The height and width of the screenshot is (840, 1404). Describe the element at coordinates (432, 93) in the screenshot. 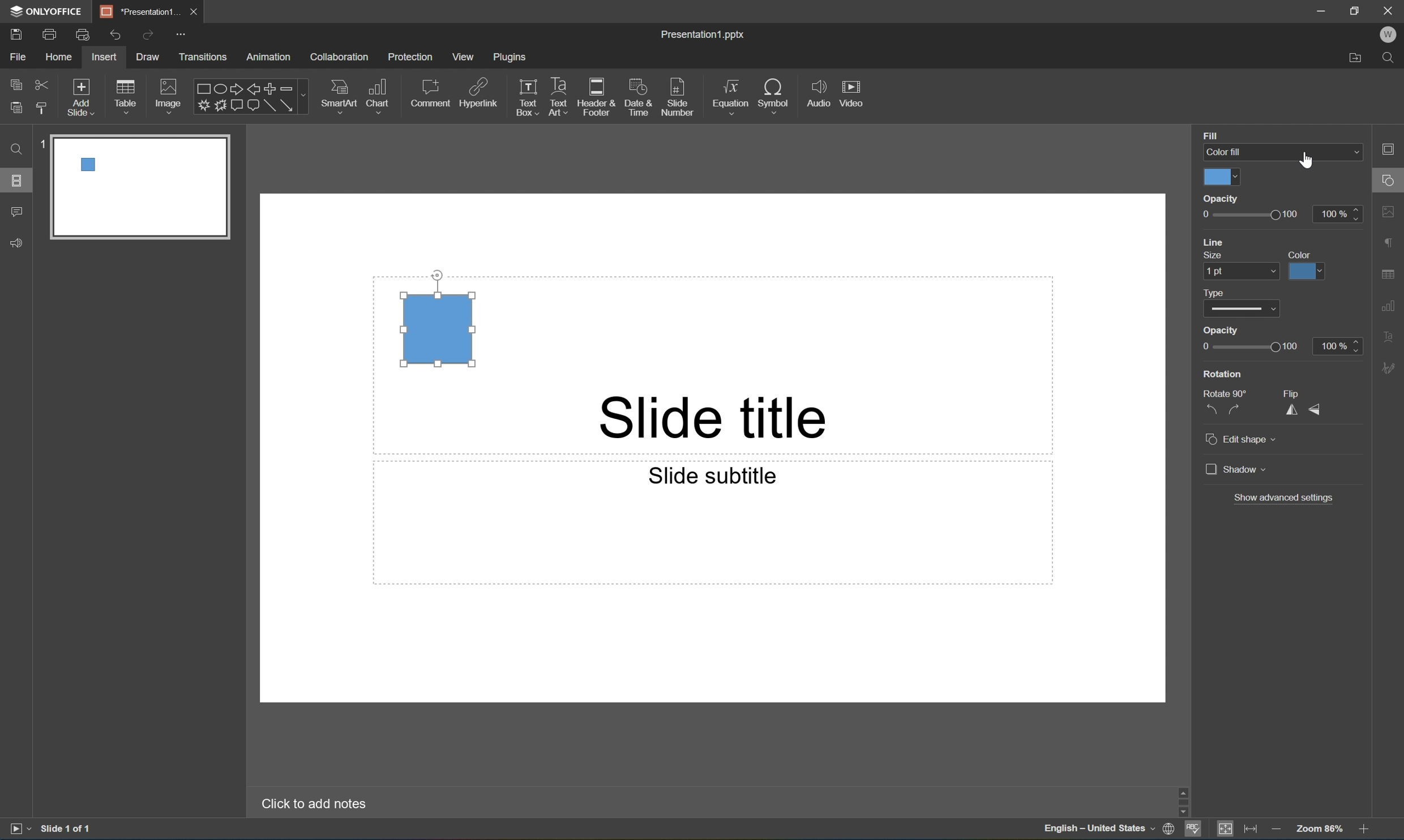

I see `Comment` at that location.